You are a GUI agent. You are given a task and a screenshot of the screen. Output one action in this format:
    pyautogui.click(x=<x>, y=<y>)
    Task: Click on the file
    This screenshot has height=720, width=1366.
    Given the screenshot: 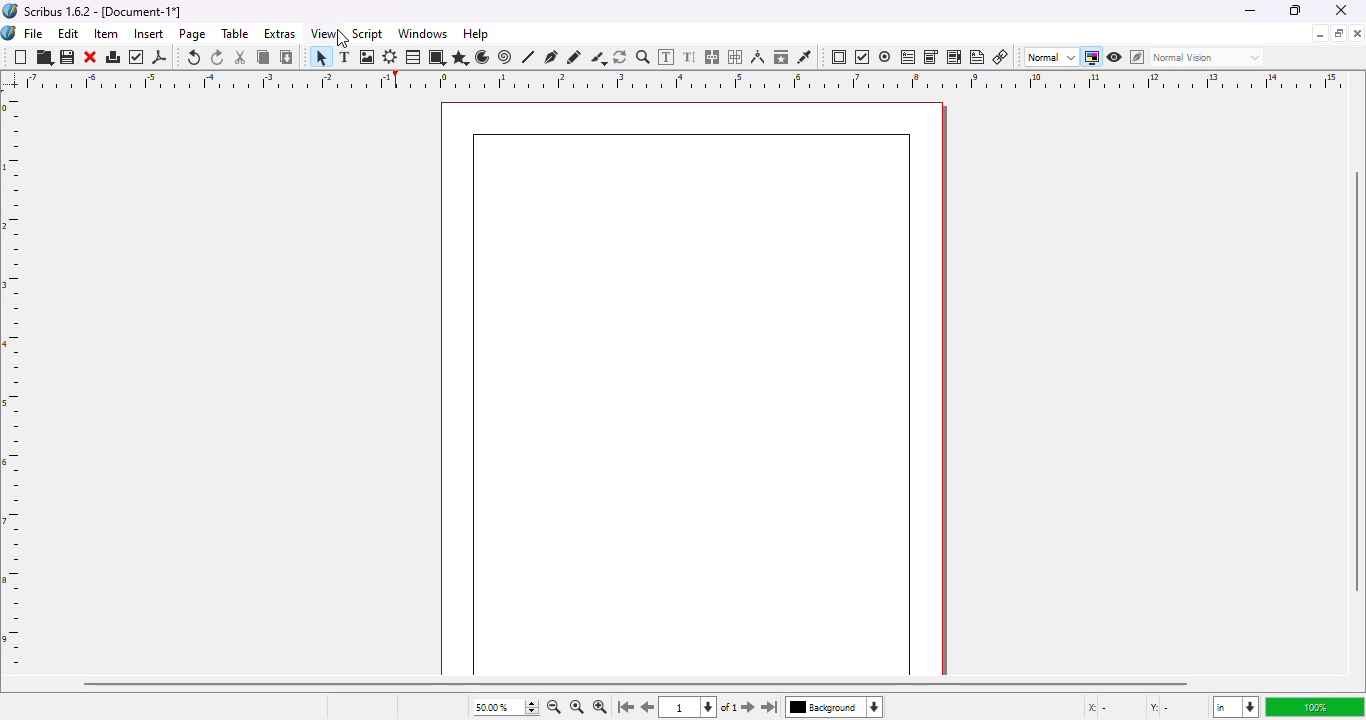 What is the action you would take?
    pyautogui.click(x=34, y=33)
    